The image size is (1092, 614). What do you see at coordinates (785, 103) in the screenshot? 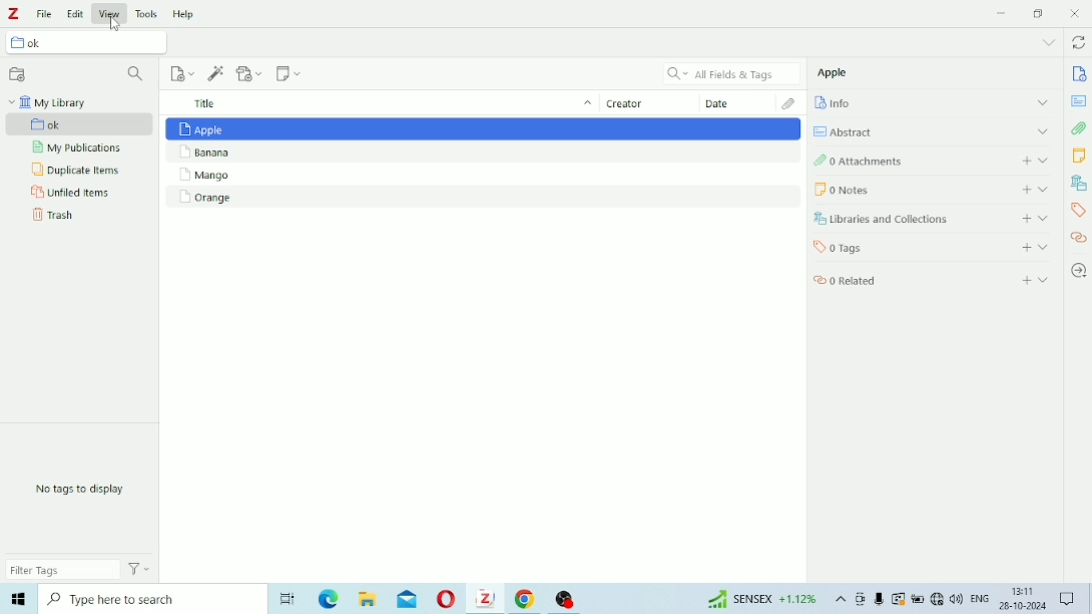
I see `Attachments` at bounding box center [785, 103].